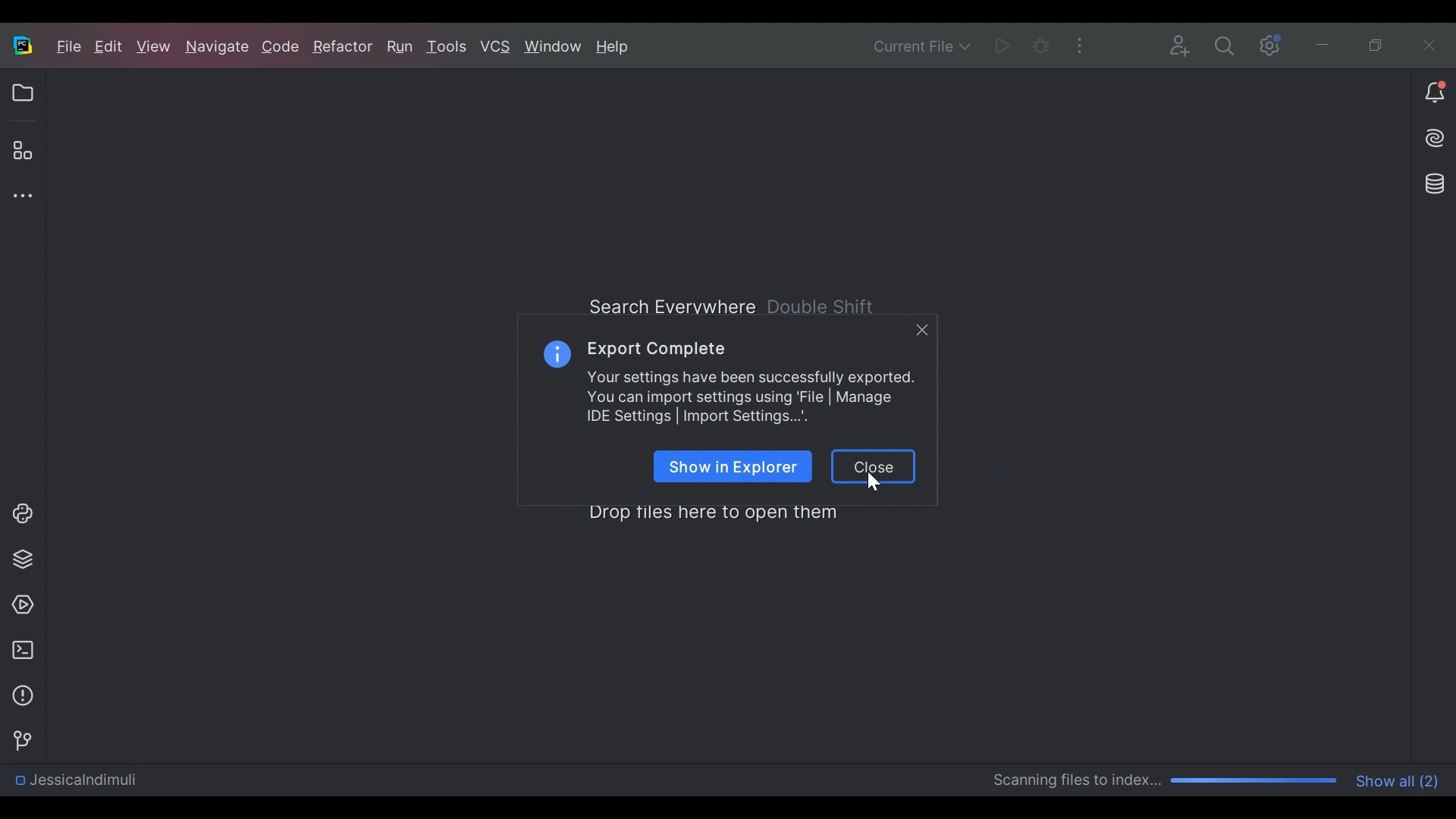 The height and width of the screenshot is (819, 1456). I want to click on Close, so click(922, 331).